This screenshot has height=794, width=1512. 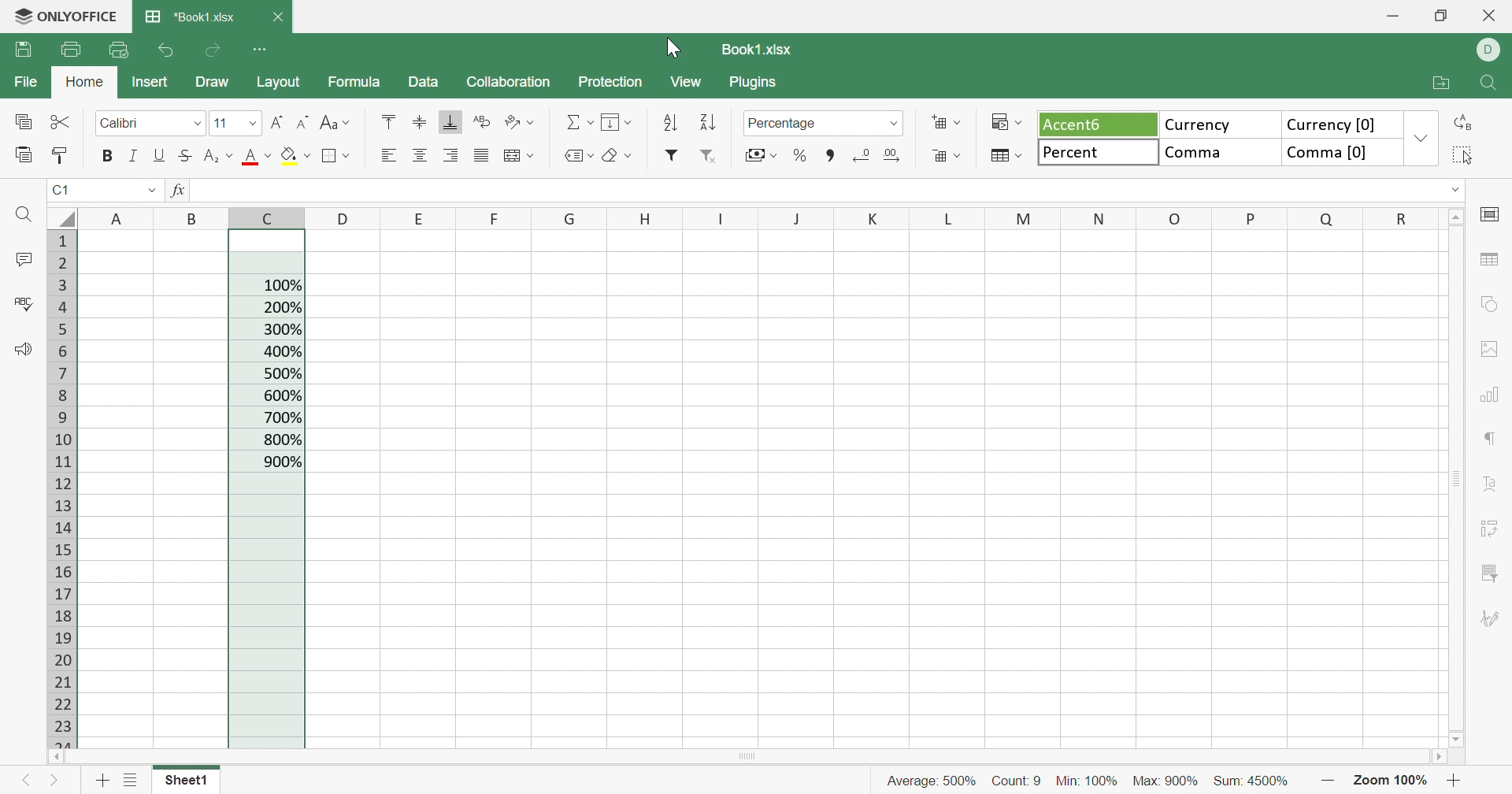 What do you see at coordinates (20, 259) in the screenshot?
I see `Comments` at bounding box center [20, 259].